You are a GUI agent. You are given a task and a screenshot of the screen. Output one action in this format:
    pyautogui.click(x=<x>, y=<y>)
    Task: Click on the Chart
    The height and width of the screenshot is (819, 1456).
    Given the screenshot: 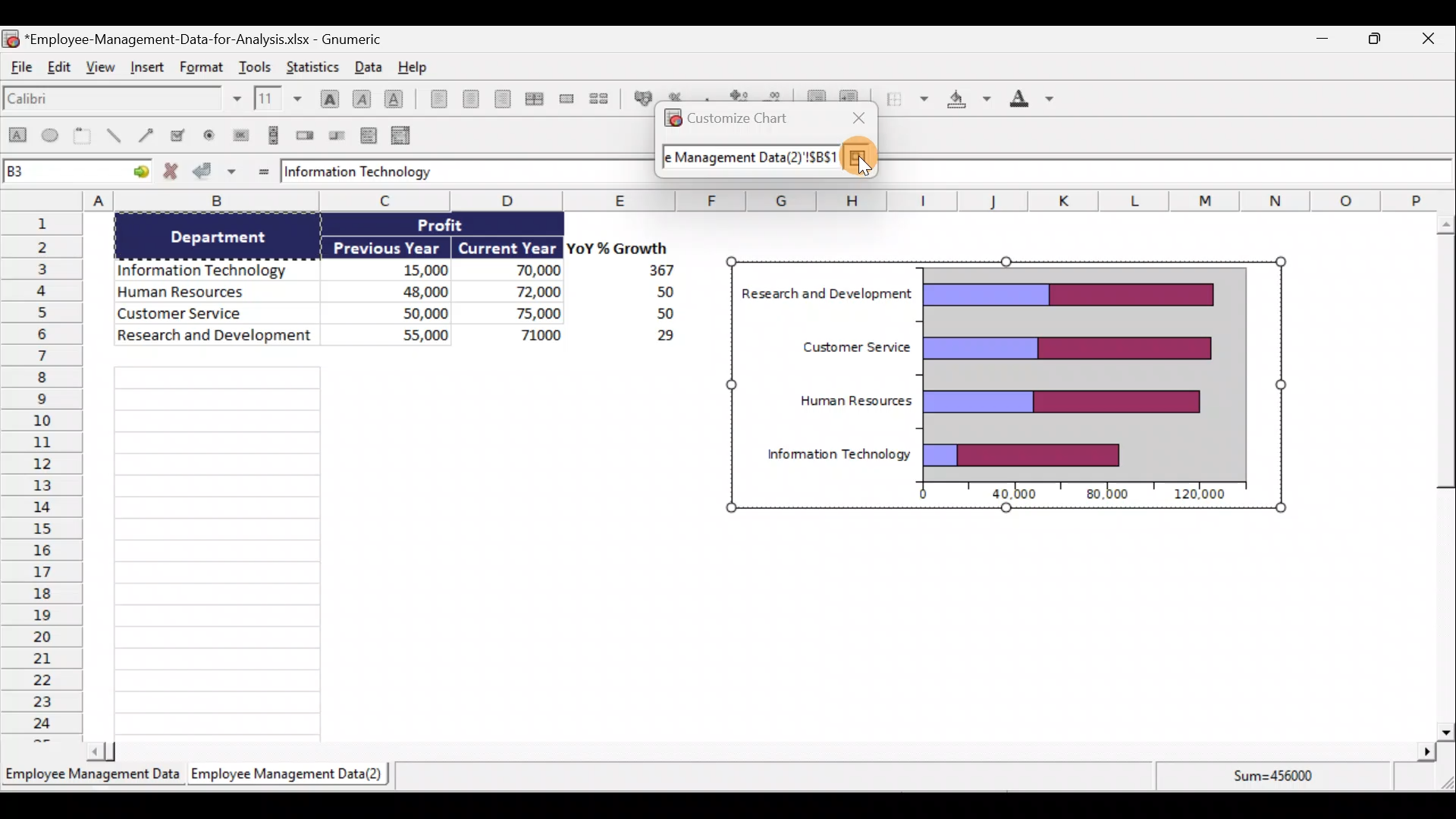 What is the action you would take?
    pyautogui.click(x=1084, y=370)
    